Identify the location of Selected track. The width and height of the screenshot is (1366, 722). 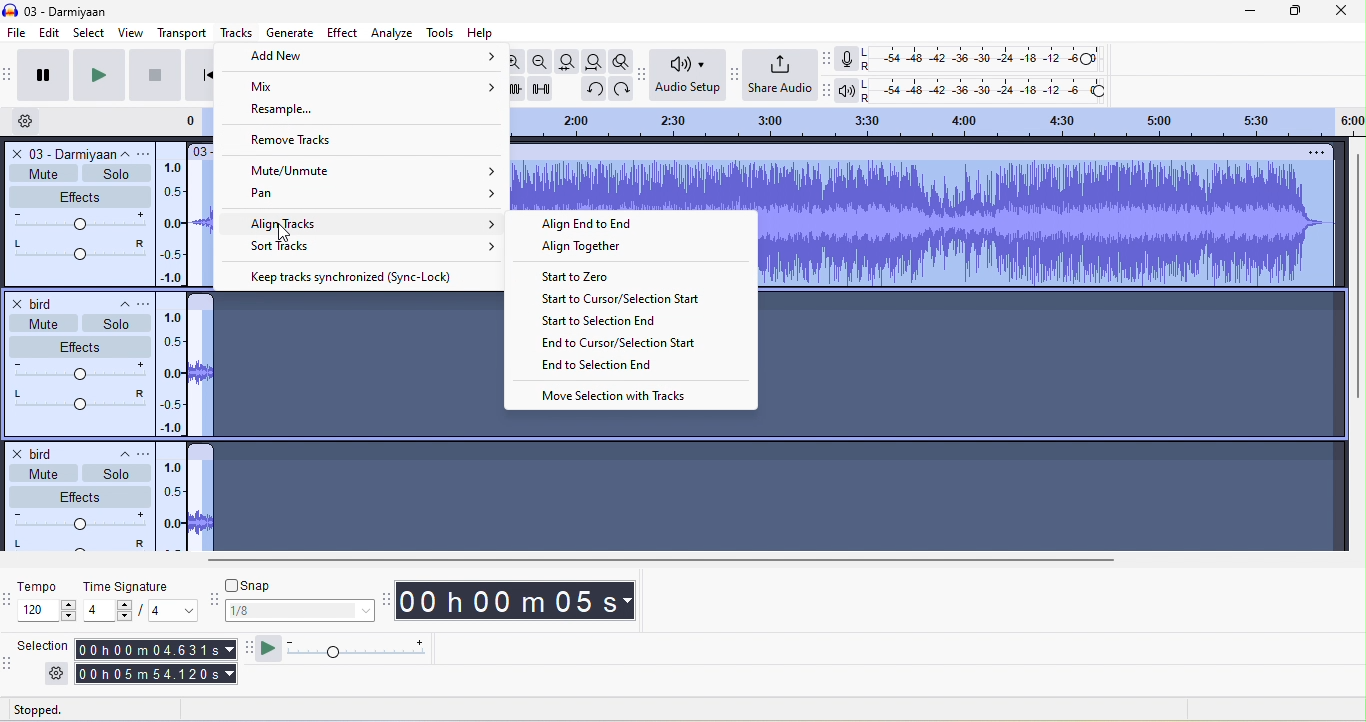
(636, 187).